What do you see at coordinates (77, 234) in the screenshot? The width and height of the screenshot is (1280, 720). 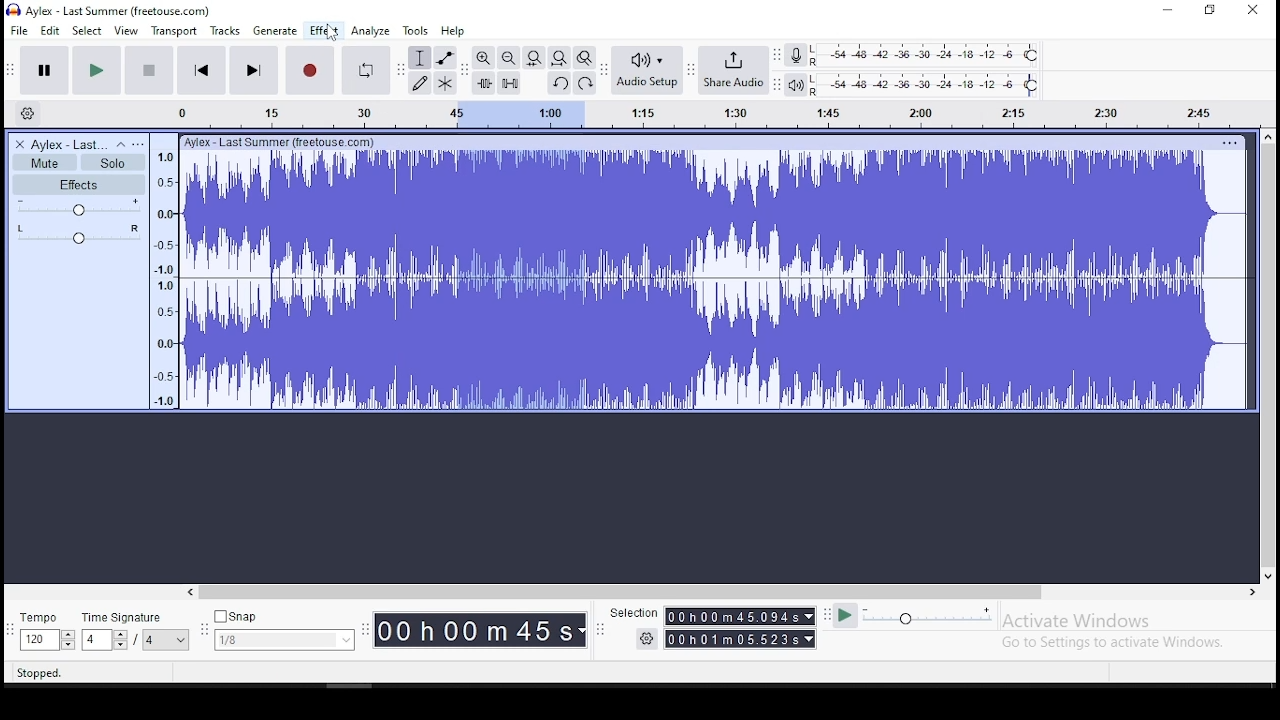 I see `pan` at bounding box center [77, 234].